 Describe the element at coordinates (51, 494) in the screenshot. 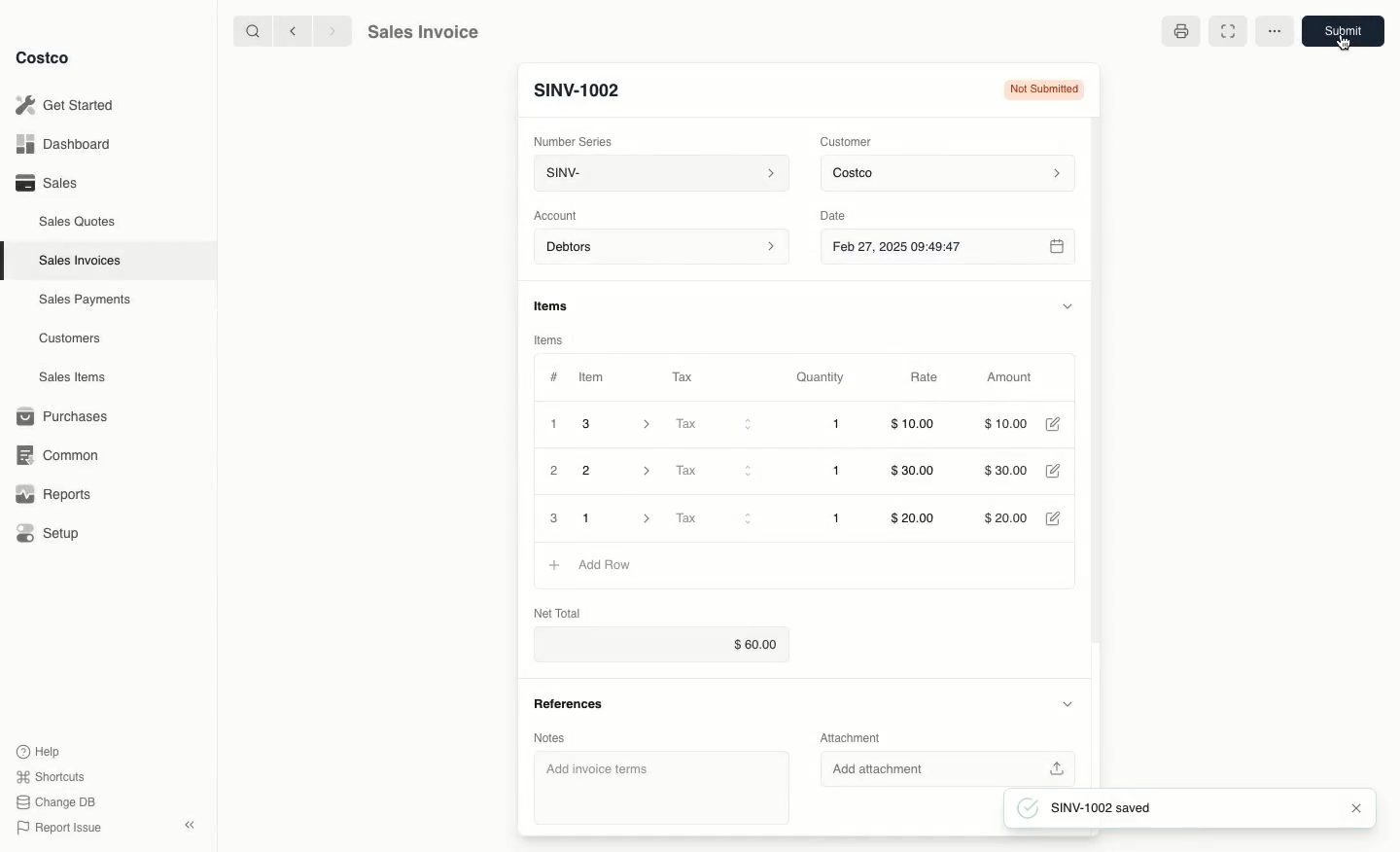

I see `Reports` at that location.